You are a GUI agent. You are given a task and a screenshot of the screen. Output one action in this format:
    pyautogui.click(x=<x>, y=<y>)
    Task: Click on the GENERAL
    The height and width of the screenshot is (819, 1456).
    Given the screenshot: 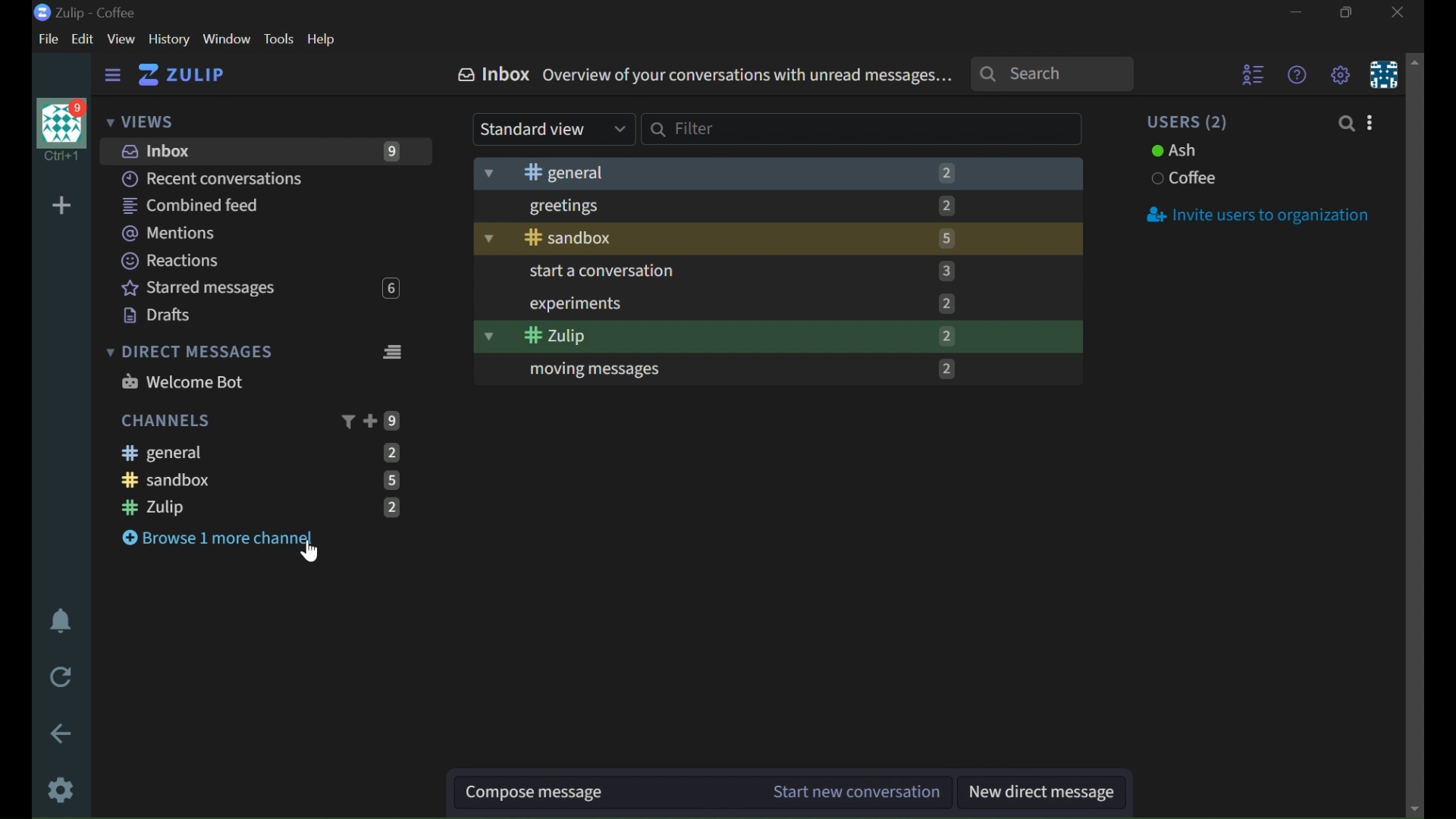 What is the action you would take?
    pyautogui.click(x=779, y=170)
    